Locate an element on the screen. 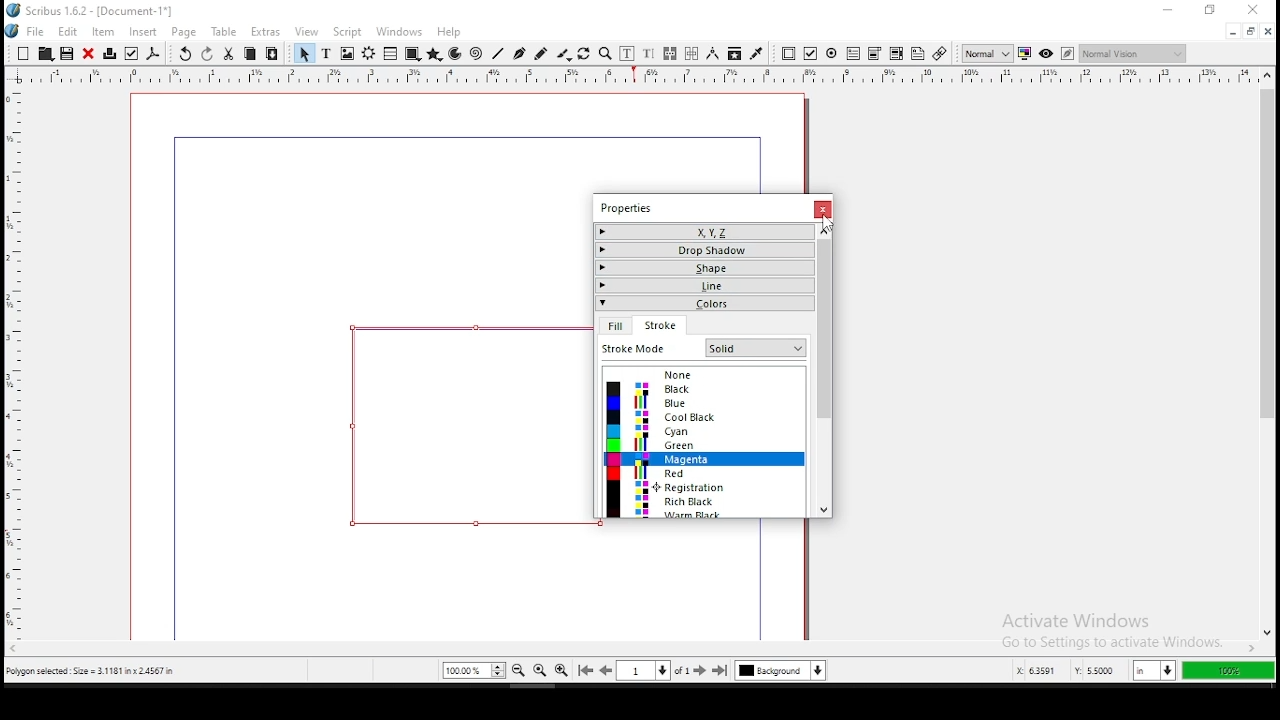  shape is located at coordinates (466, 424).